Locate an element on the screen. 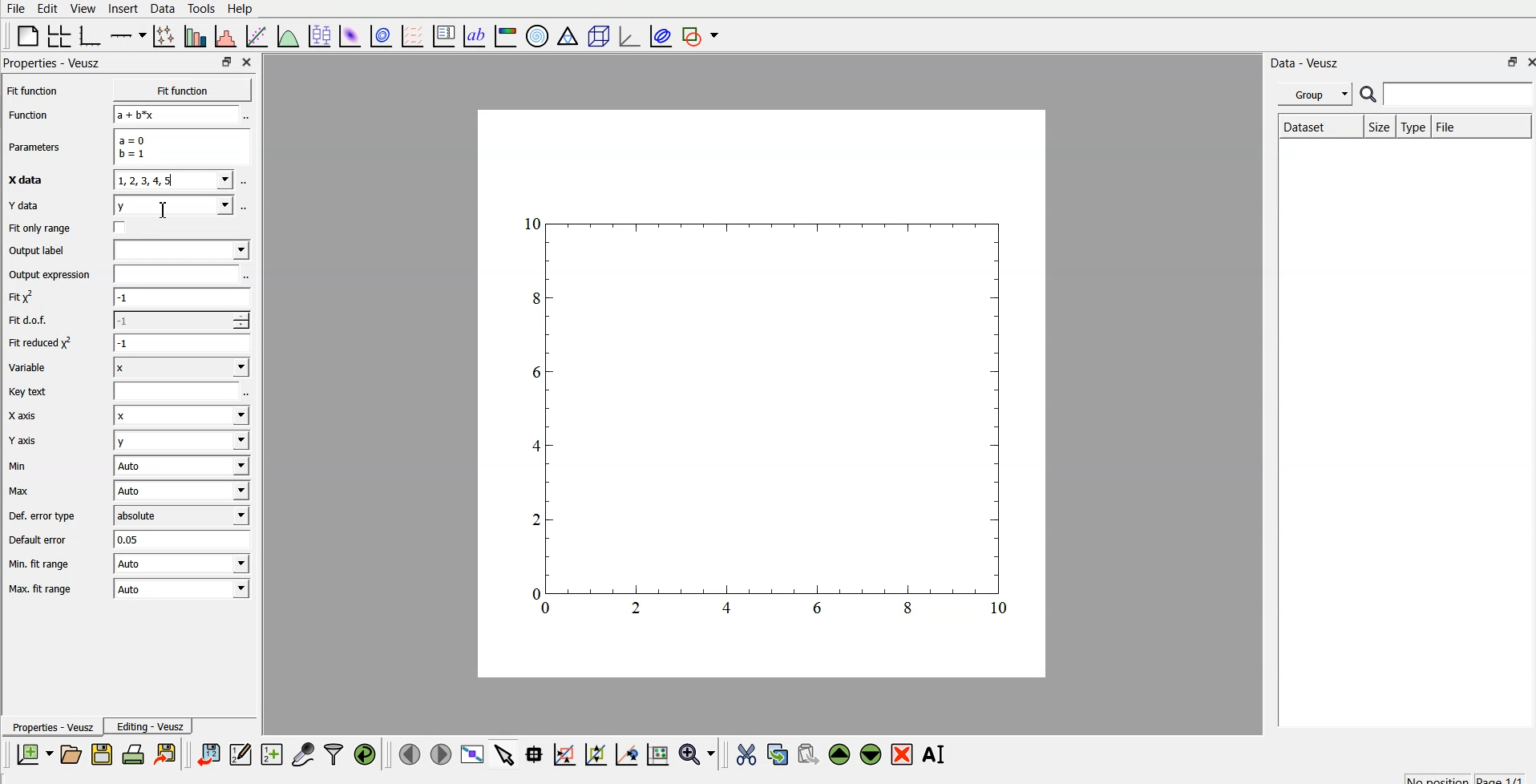 This screenshot has height=784, width=1536. y is located at coordinates (176, 205).